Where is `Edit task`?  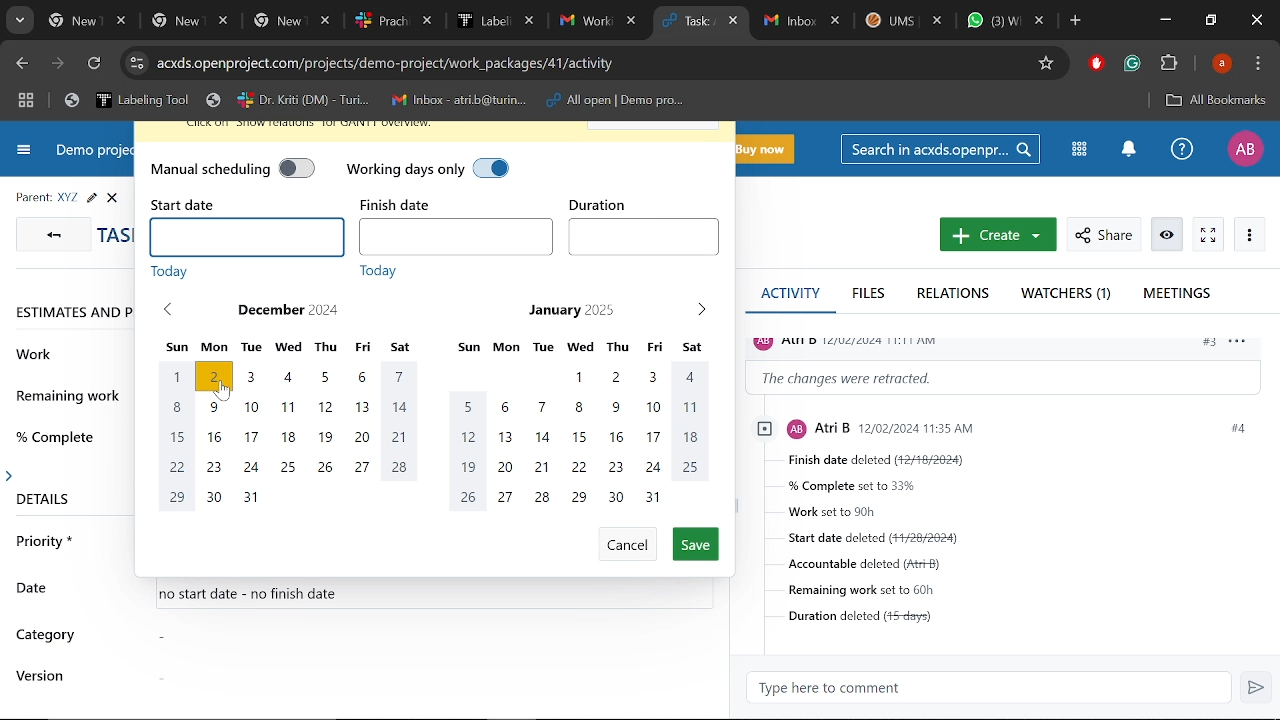 Edit task is located at coordinates (91, 198).